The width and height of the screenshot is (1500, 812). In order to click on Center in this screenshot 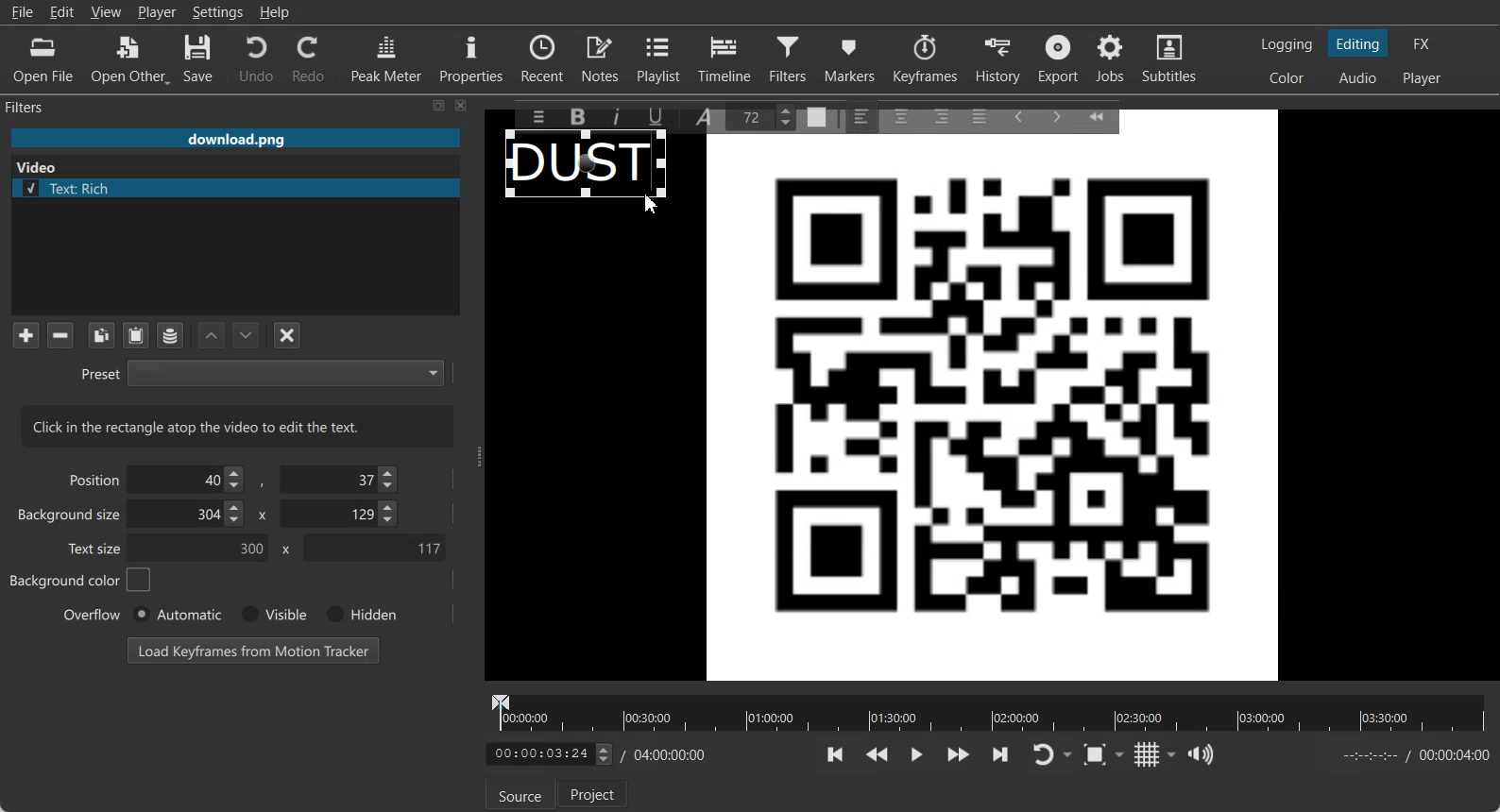, I will do `click(903, 115)`.